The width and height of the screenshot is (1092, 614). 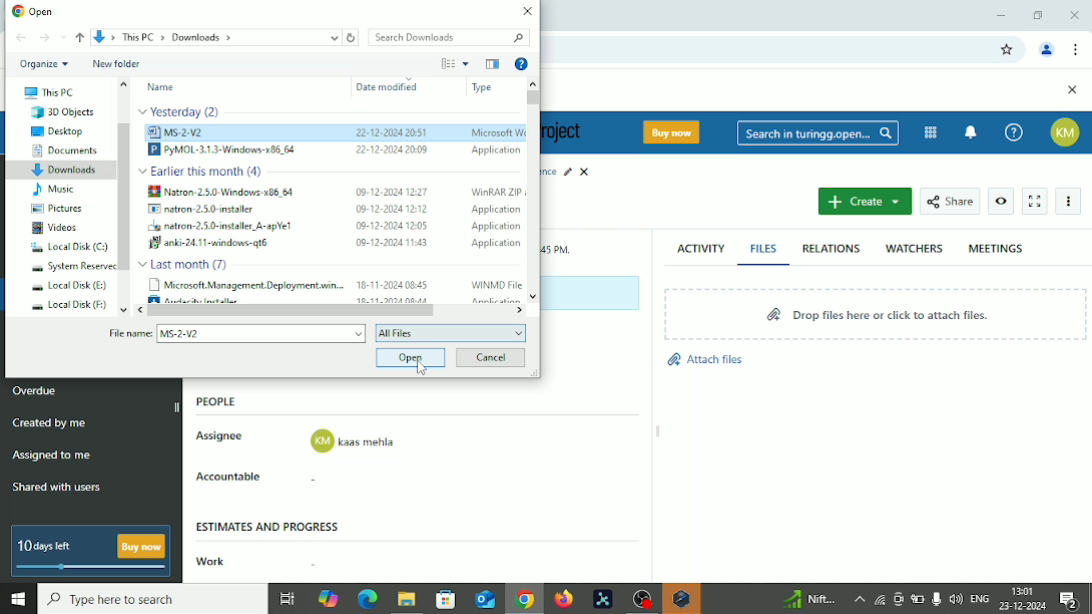 I want to click on OBS Studio, so click(x=640, y=599).